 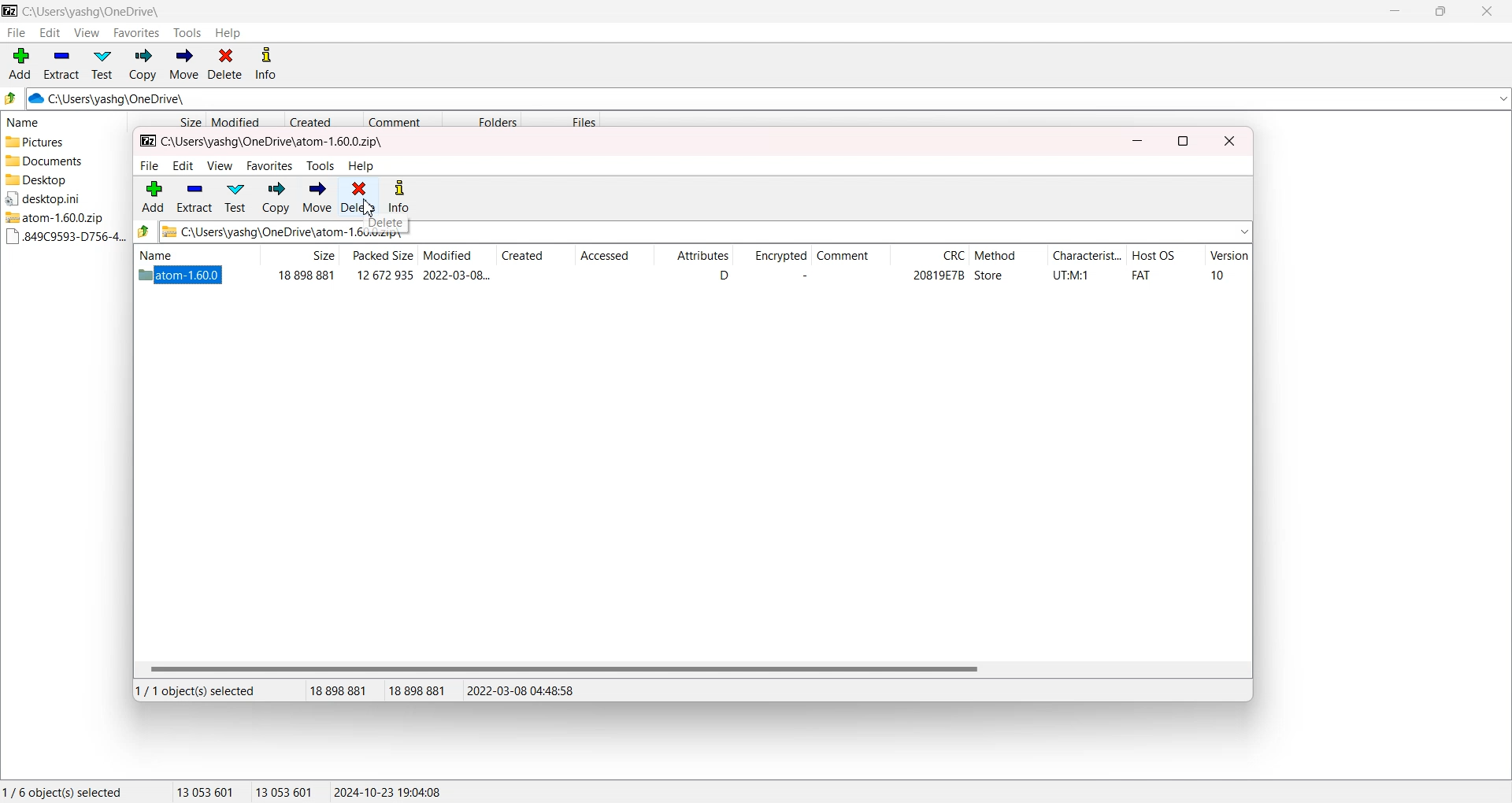 I want to click on Maximize, so click(x=1440, y=11).